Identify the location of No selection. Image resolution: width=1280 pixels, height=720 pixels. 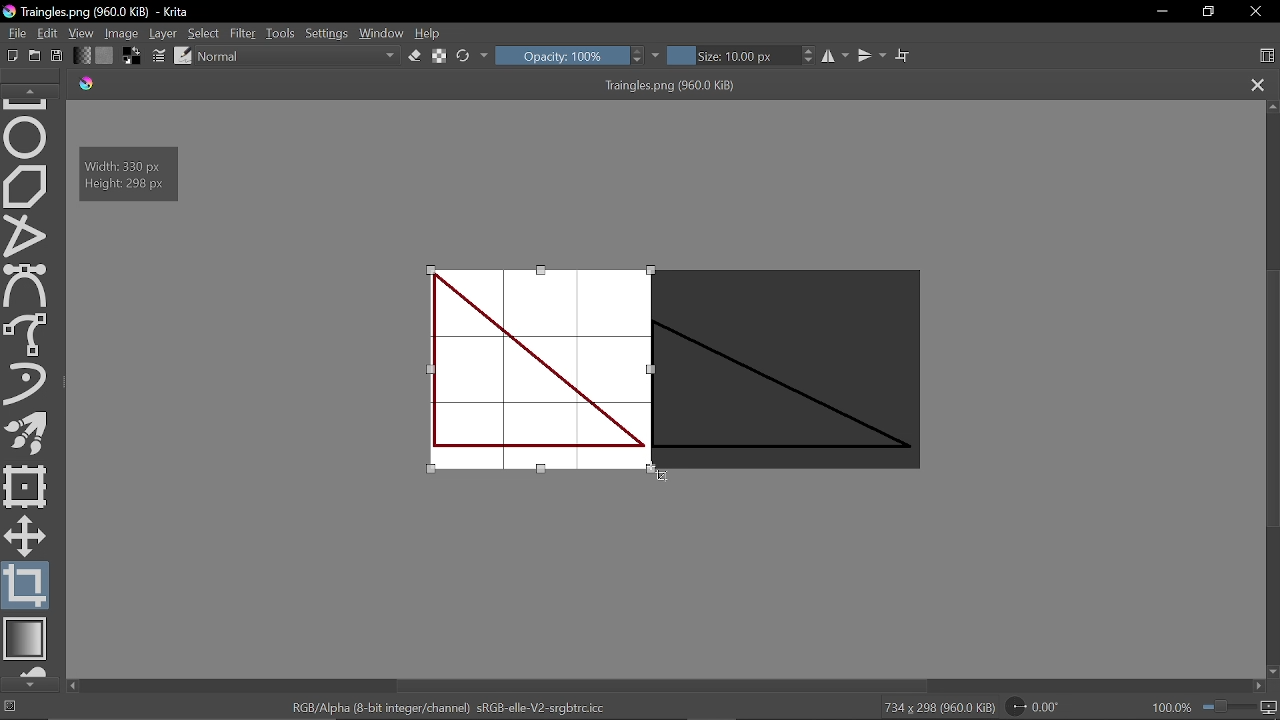
(10, 708).